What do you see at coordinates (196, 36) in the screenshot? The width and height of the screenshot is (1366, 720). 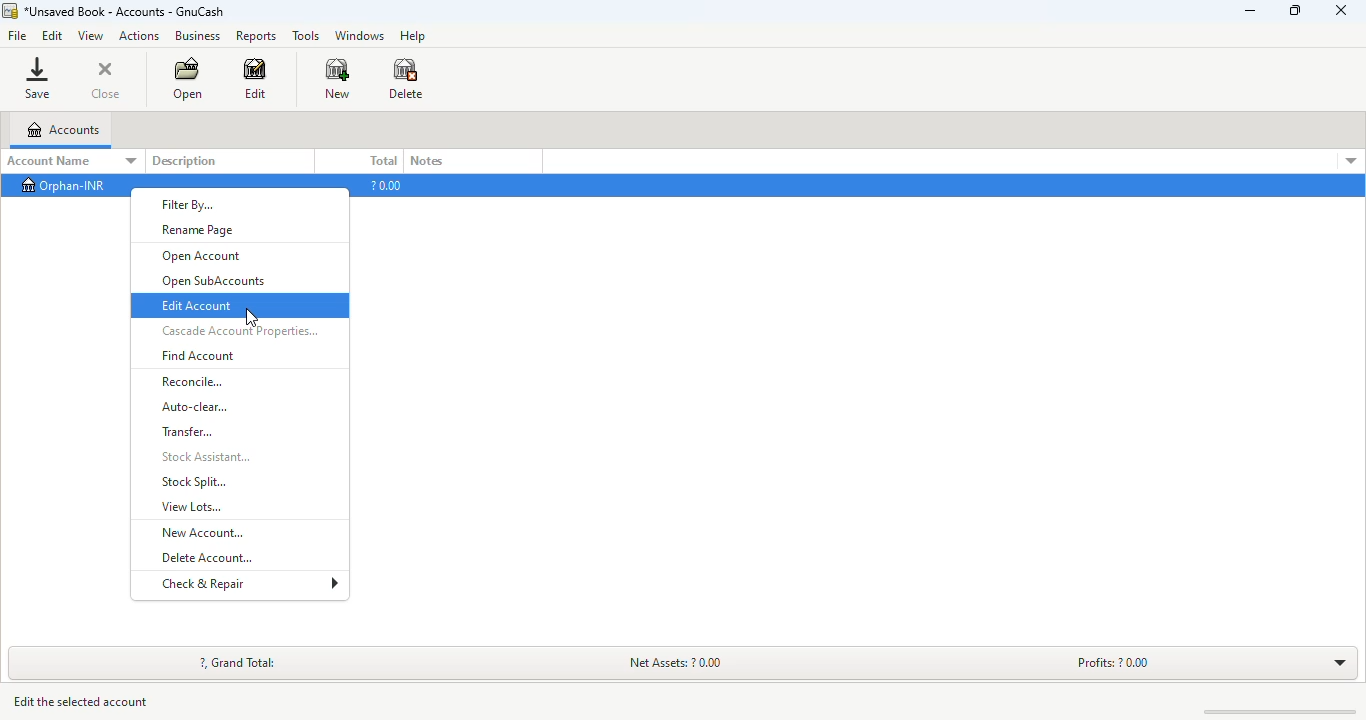 I see `business` at bounding box center [196, 36].